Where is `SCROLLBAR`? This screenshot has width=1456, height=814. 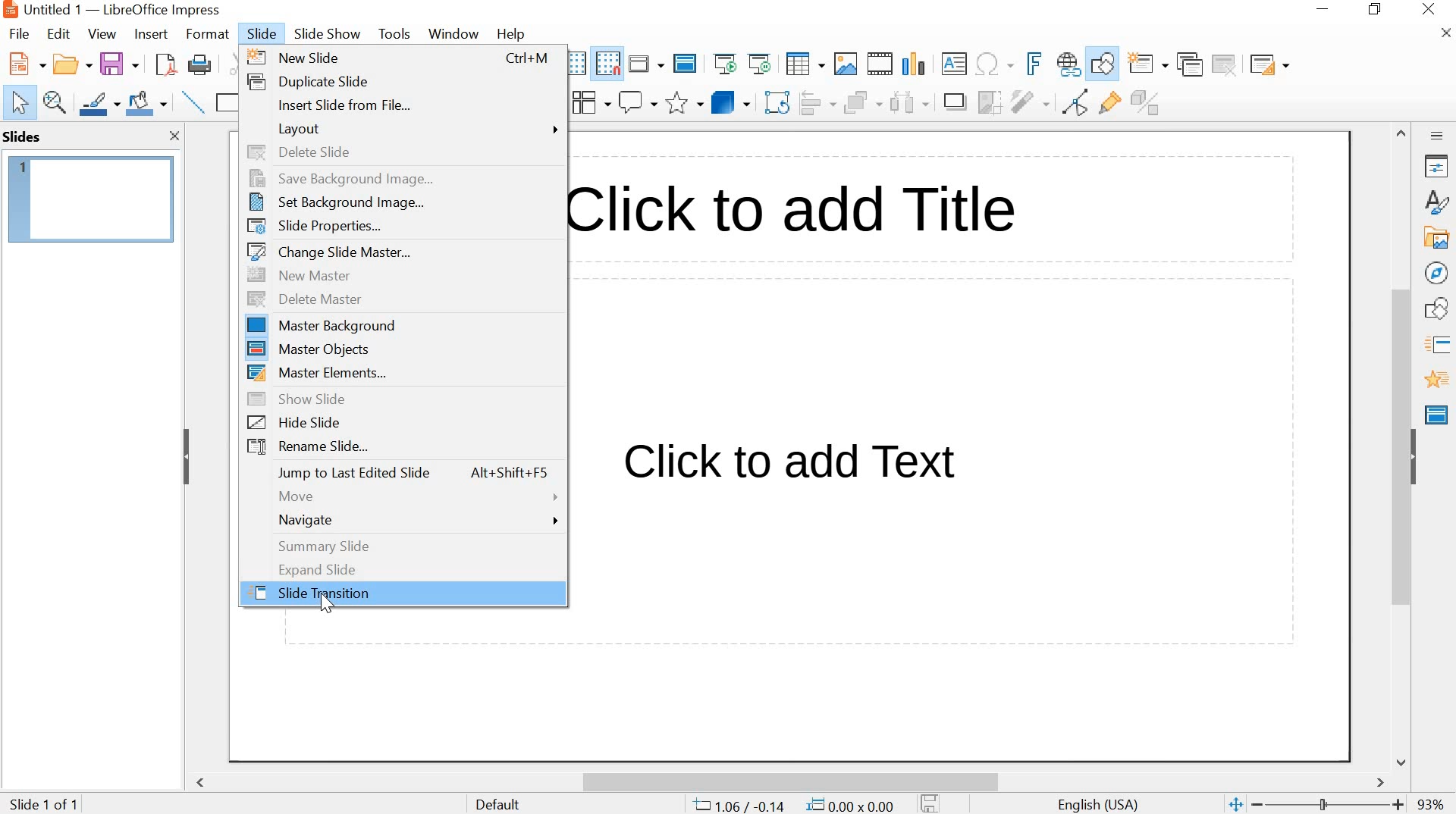
SCROLLBAR is located at coordinates (1403, 446).